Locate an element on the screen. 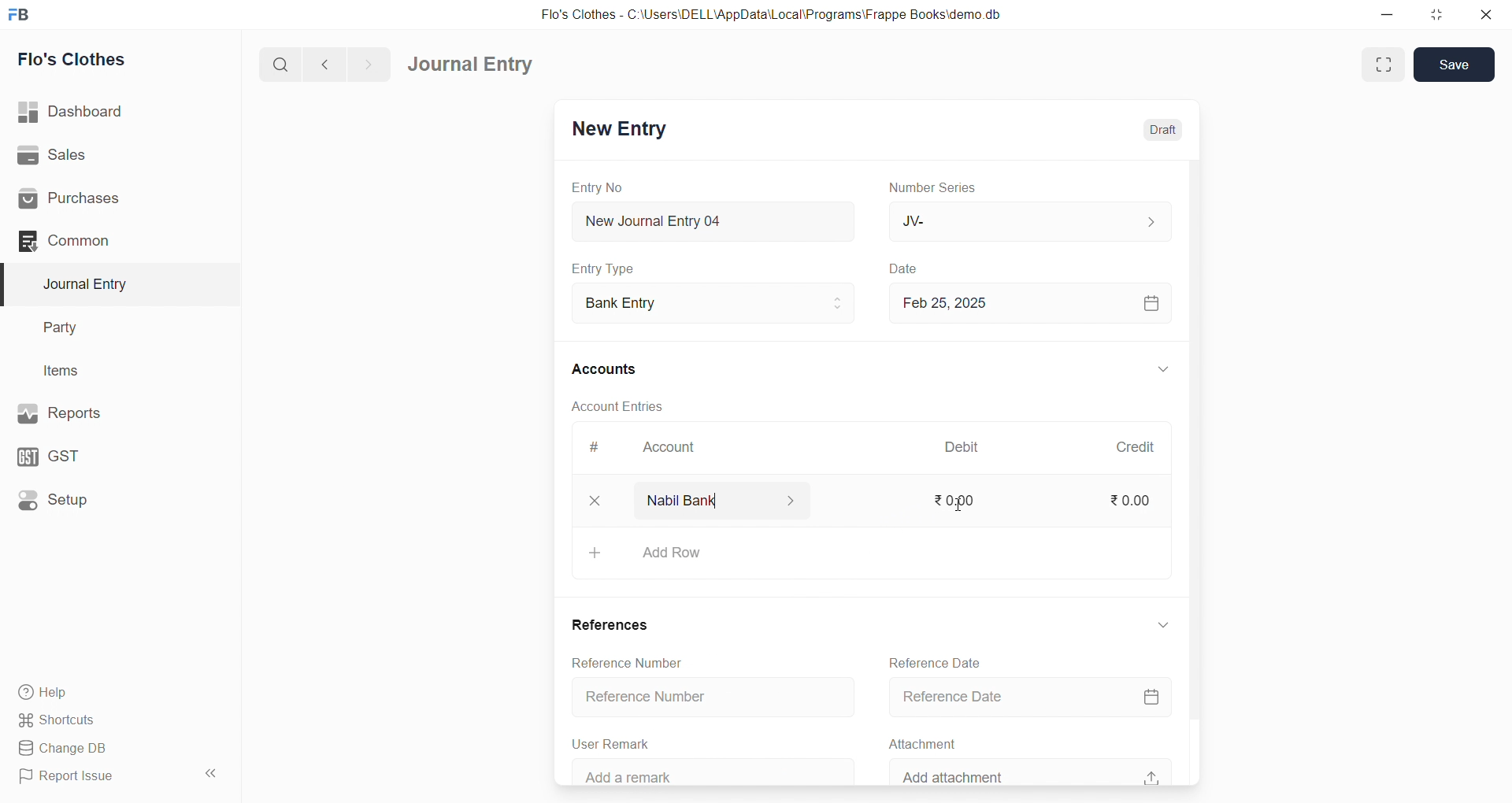 The width and height of the screenshot is (1512, 803). cursor is located at coordinates (958, 504).